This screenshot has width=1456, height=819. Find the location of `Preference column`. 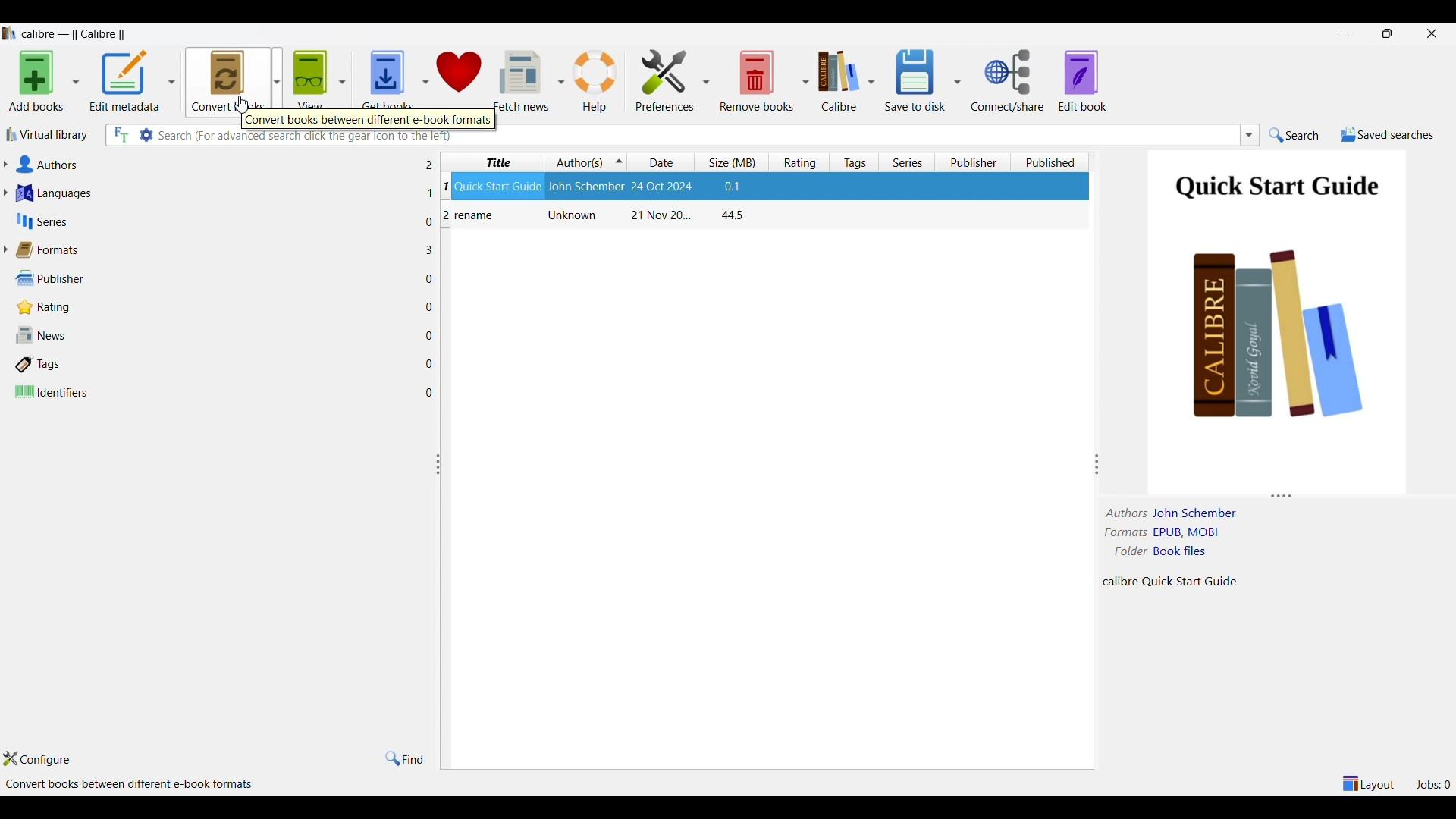

Preference column is located at coordinates (705, 80).